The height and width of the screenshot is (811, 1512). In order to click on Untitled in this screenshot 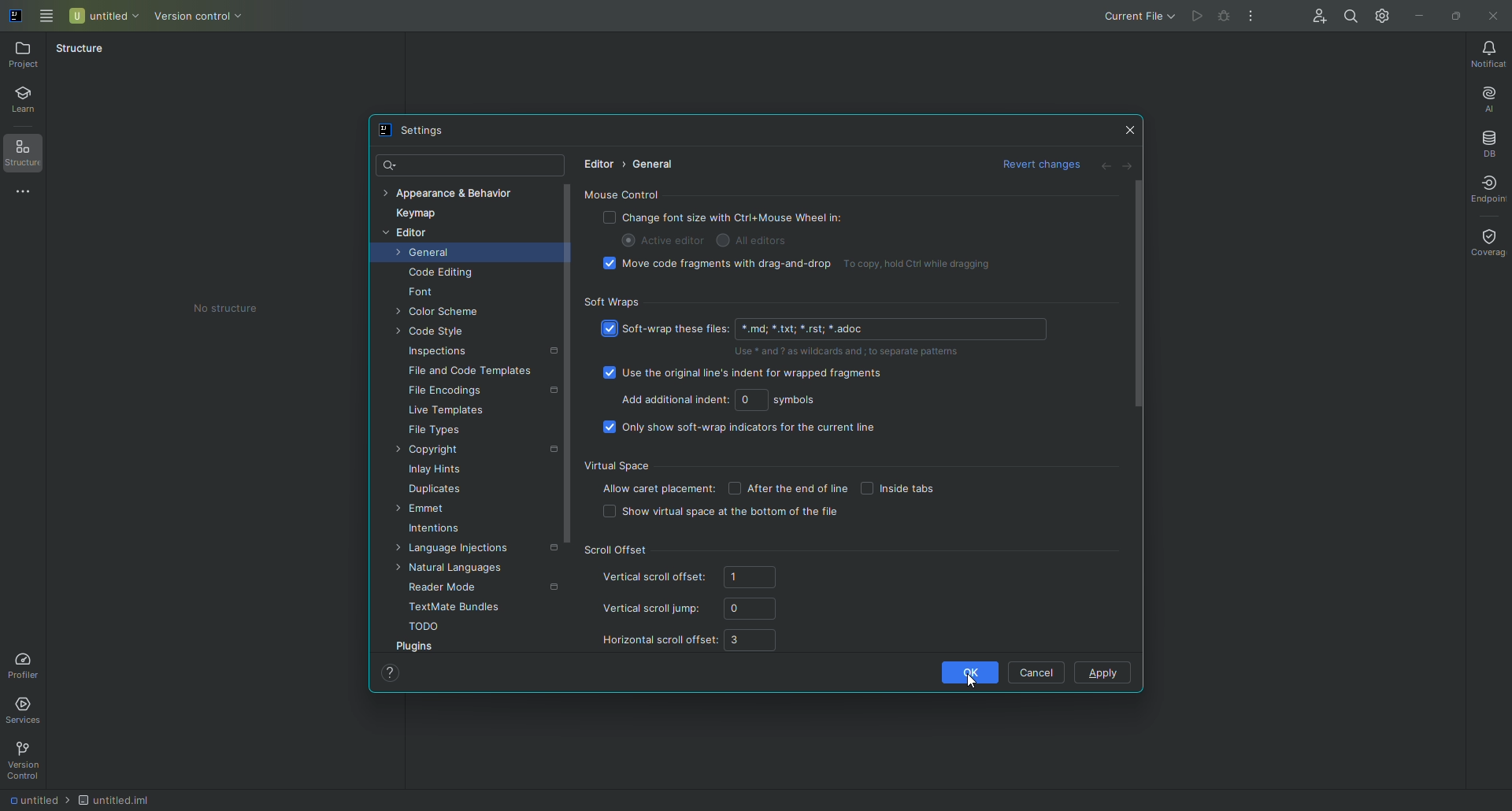, I will do `click(107, 17)`.